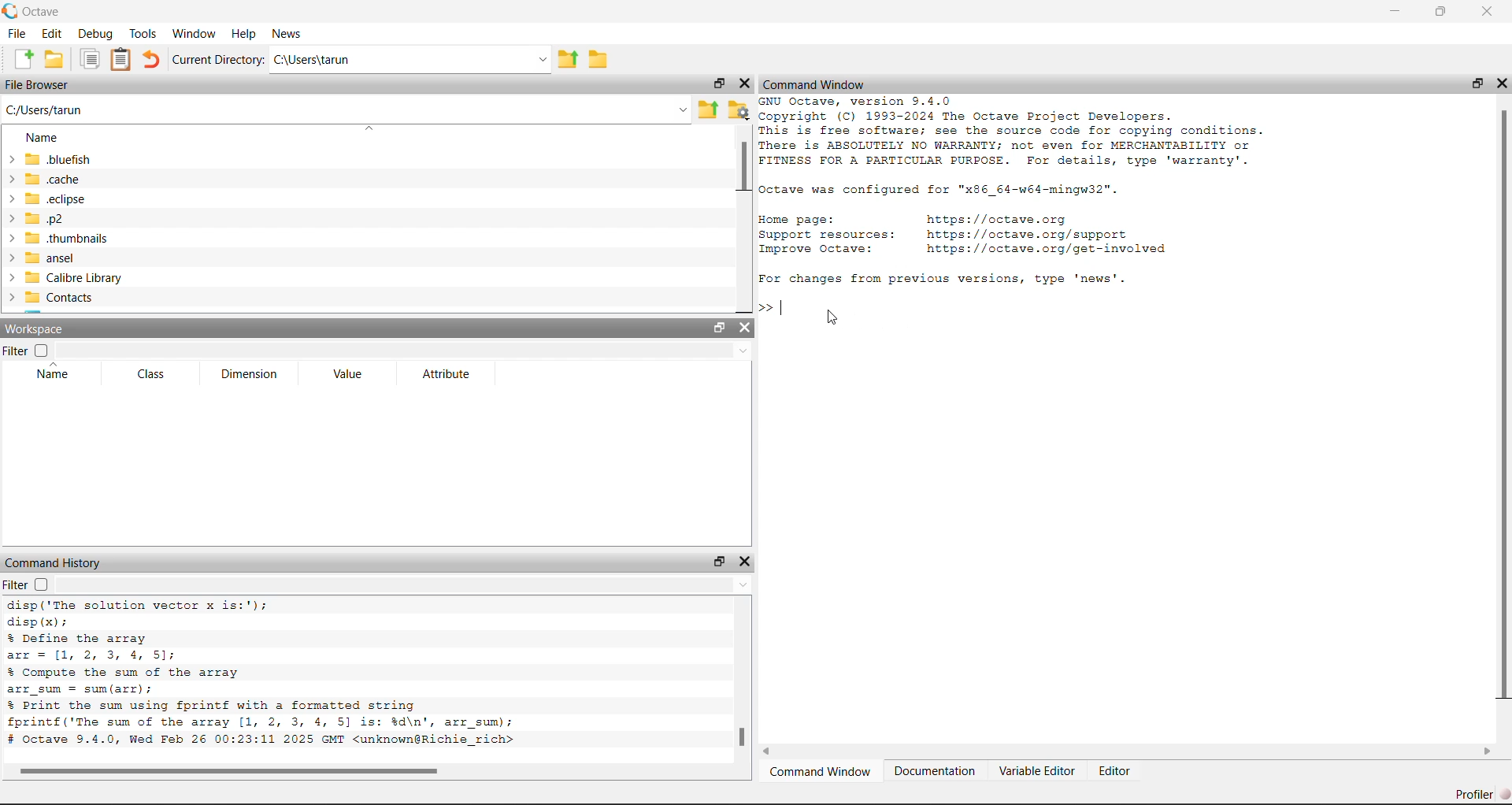 The image size is (1512, 805). I want to click on Close, so click(744, 84).